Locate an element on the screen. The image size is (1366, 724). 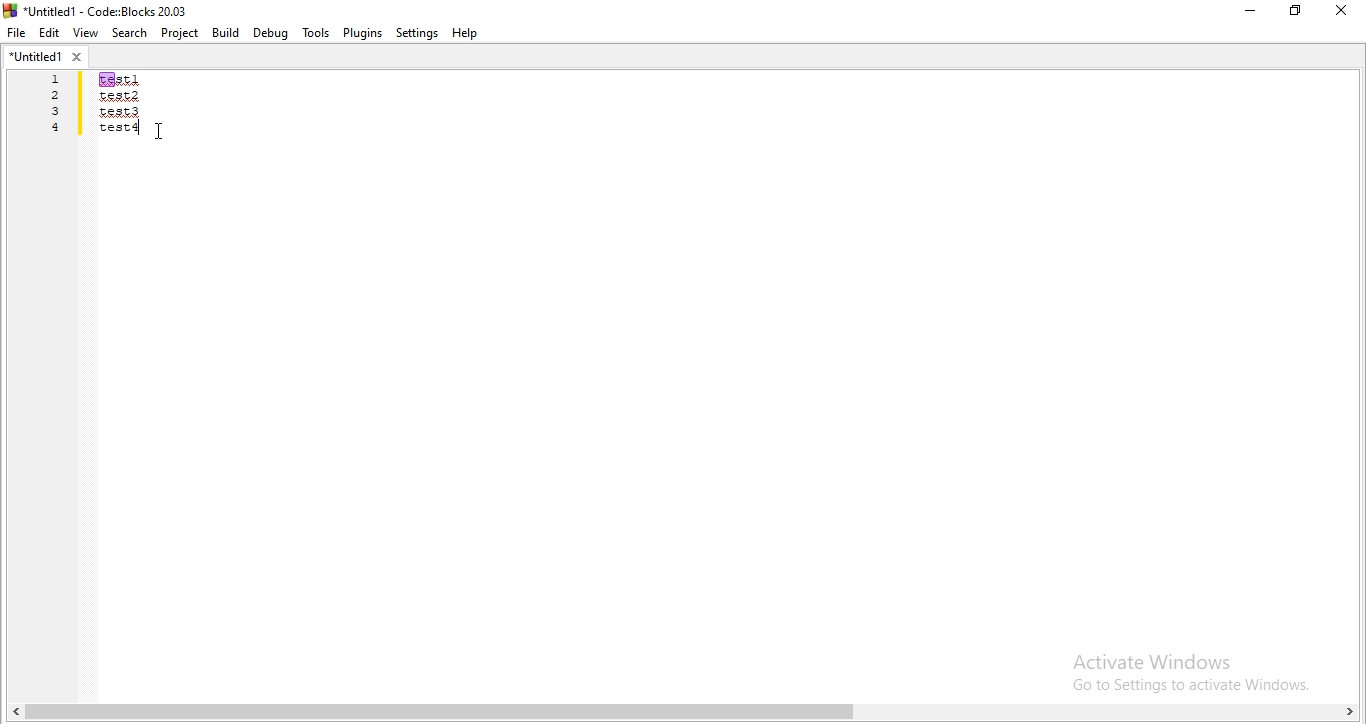
Debug  is located at coordinates (271, 33).